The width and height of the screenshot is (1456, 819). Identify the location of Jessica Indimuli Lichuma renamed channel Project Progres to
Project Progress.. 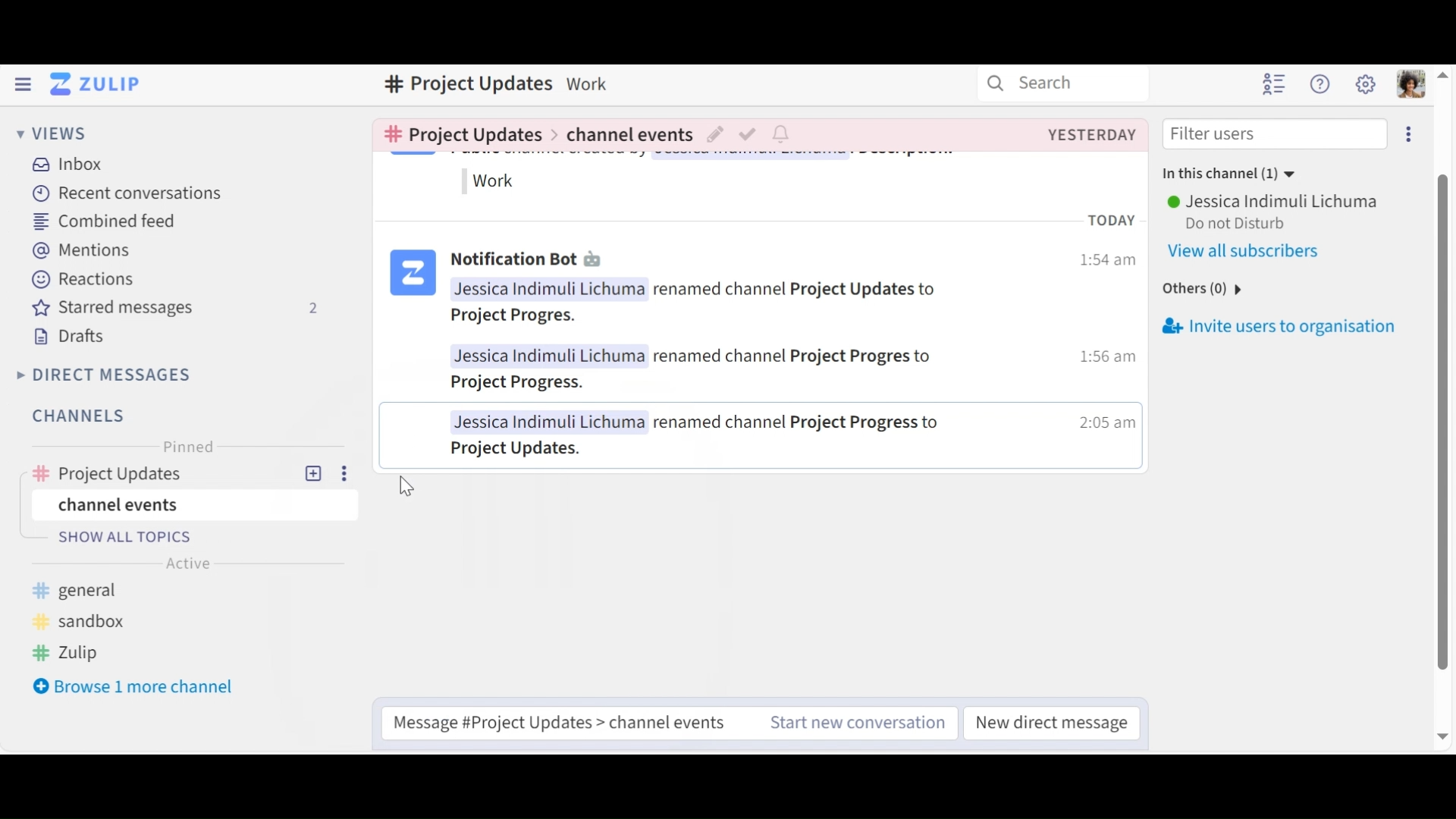
(706, 368).